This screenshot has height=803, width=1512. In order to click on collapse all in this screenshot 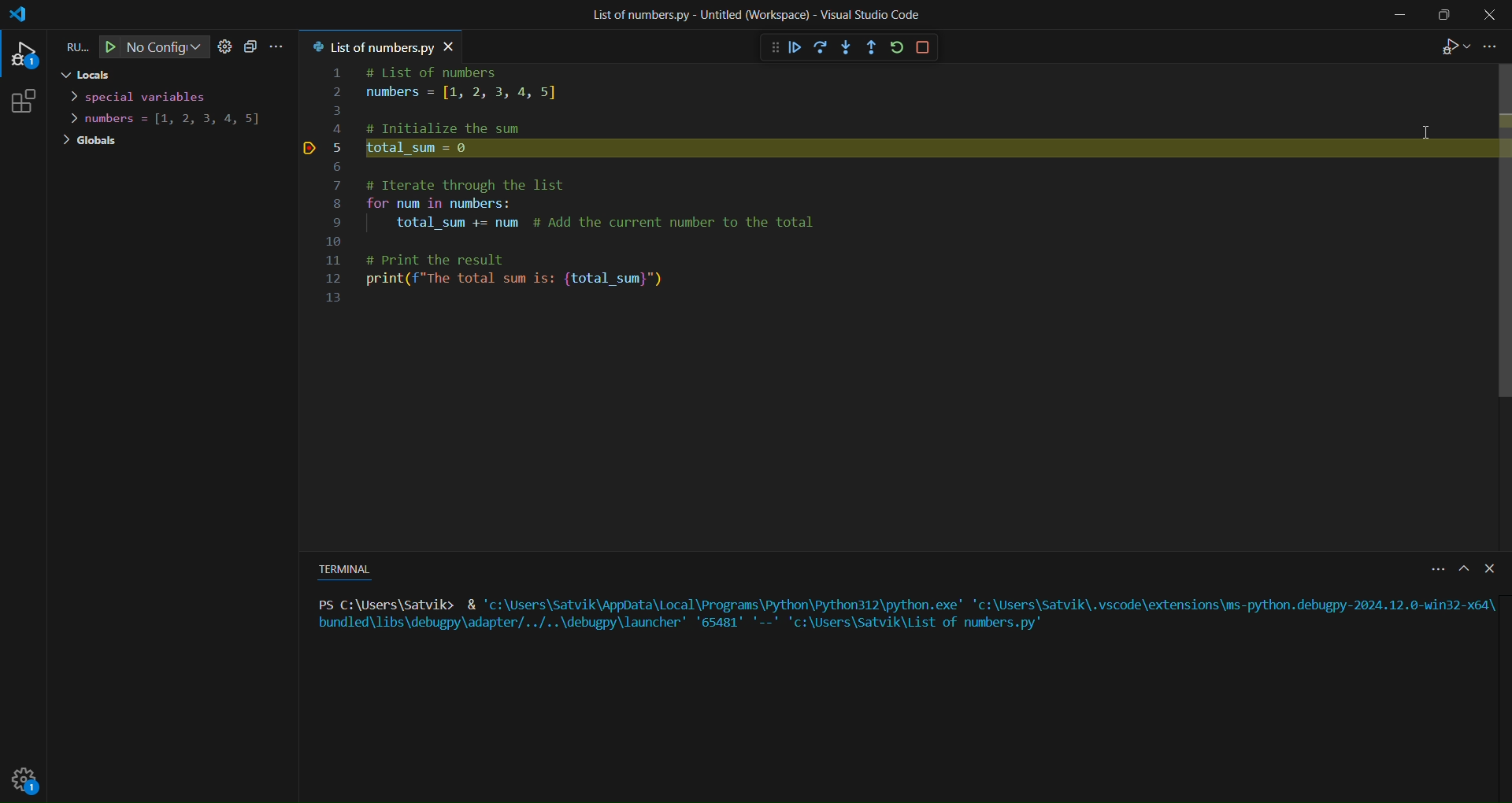, I will do `click(251, 46)`.